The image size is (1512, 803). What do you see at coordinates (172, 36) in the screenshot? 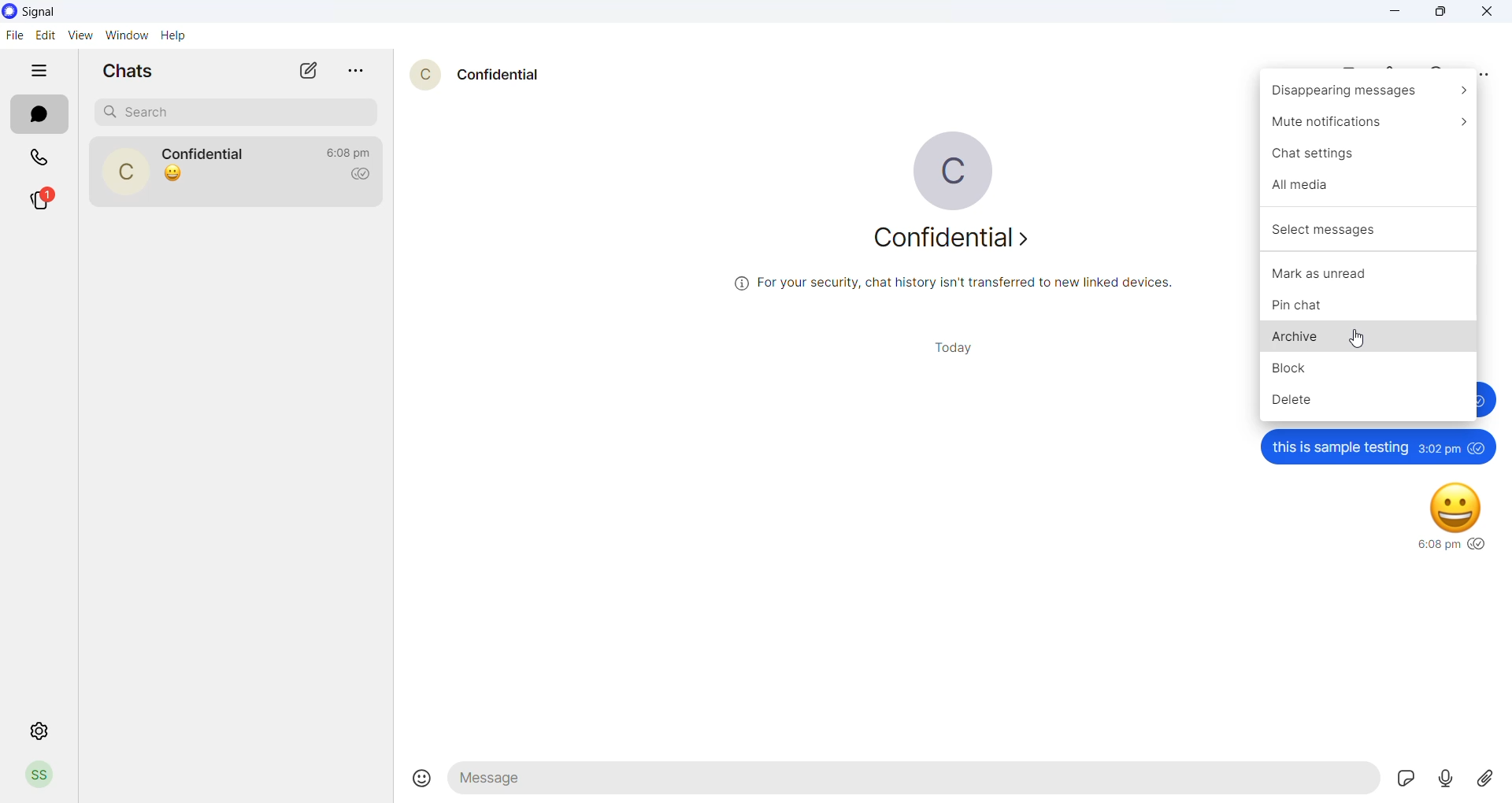
I see `help` at bounding box center [172, 36].